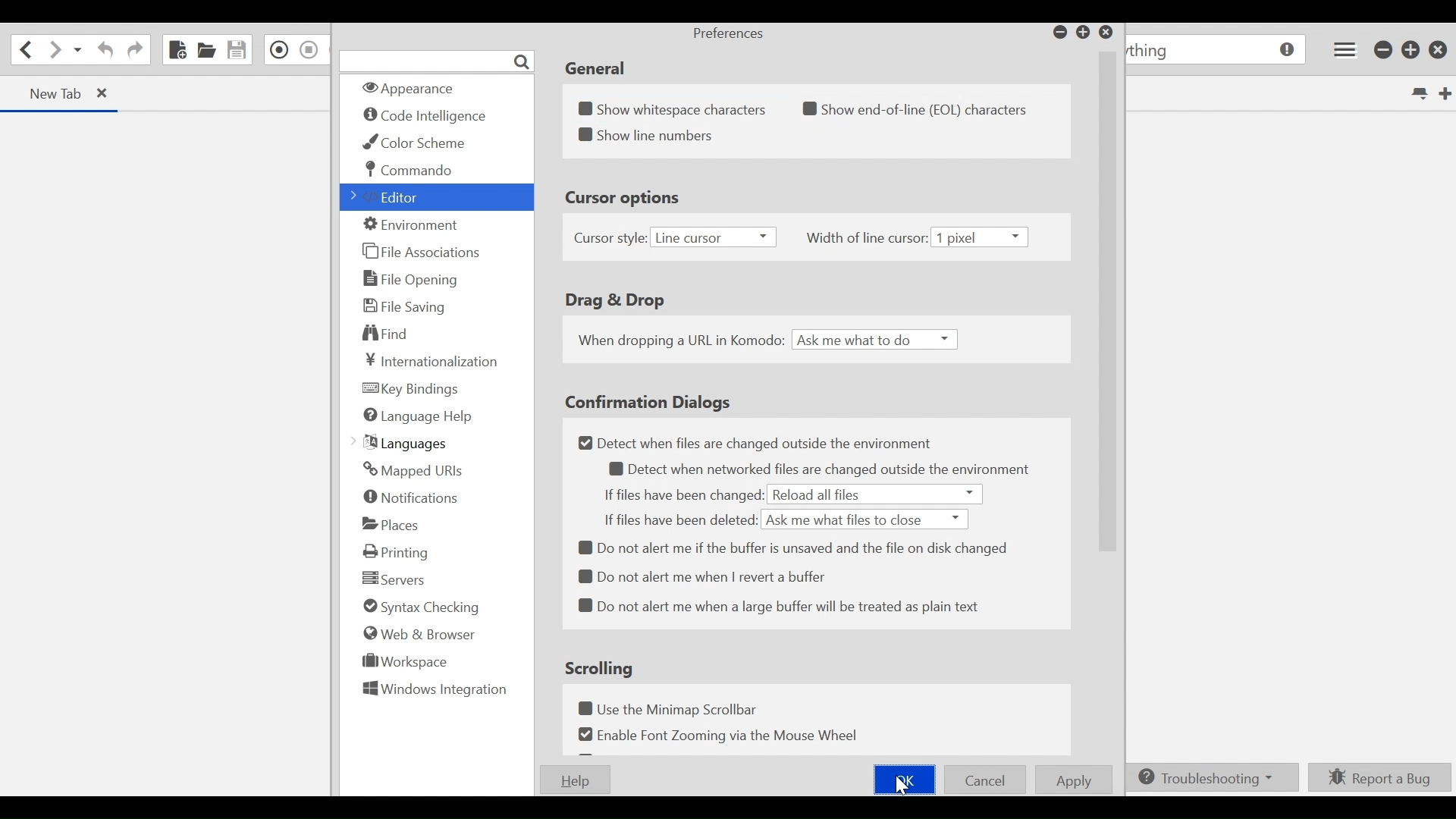 This screenshot has width=1456, height=819. Describe the element at coordinates (680, 519) in the screenshot. I see `If Files have been deleted:` at that location.